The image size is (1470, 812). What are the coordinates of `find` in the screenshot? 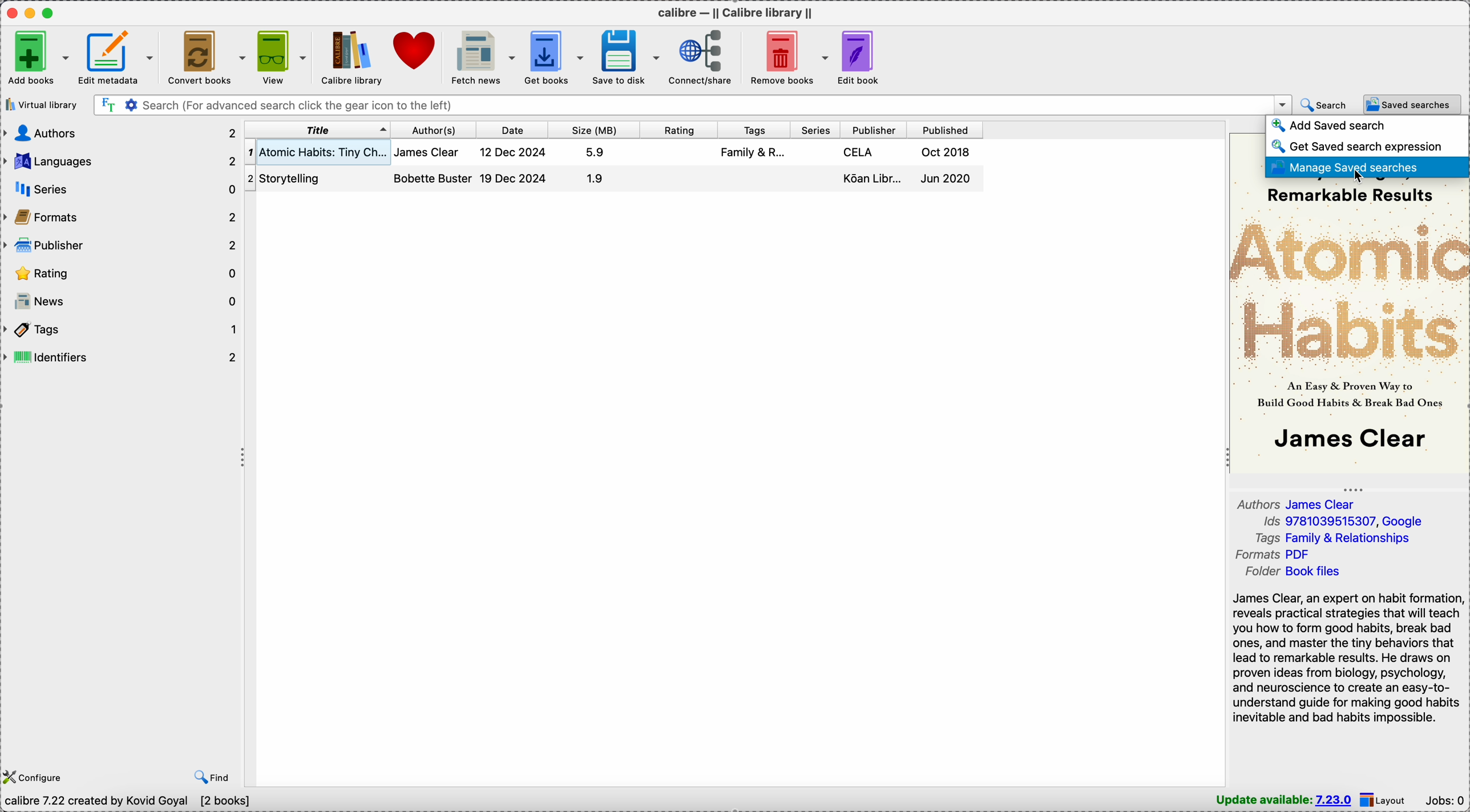 It's located at (215, 776).